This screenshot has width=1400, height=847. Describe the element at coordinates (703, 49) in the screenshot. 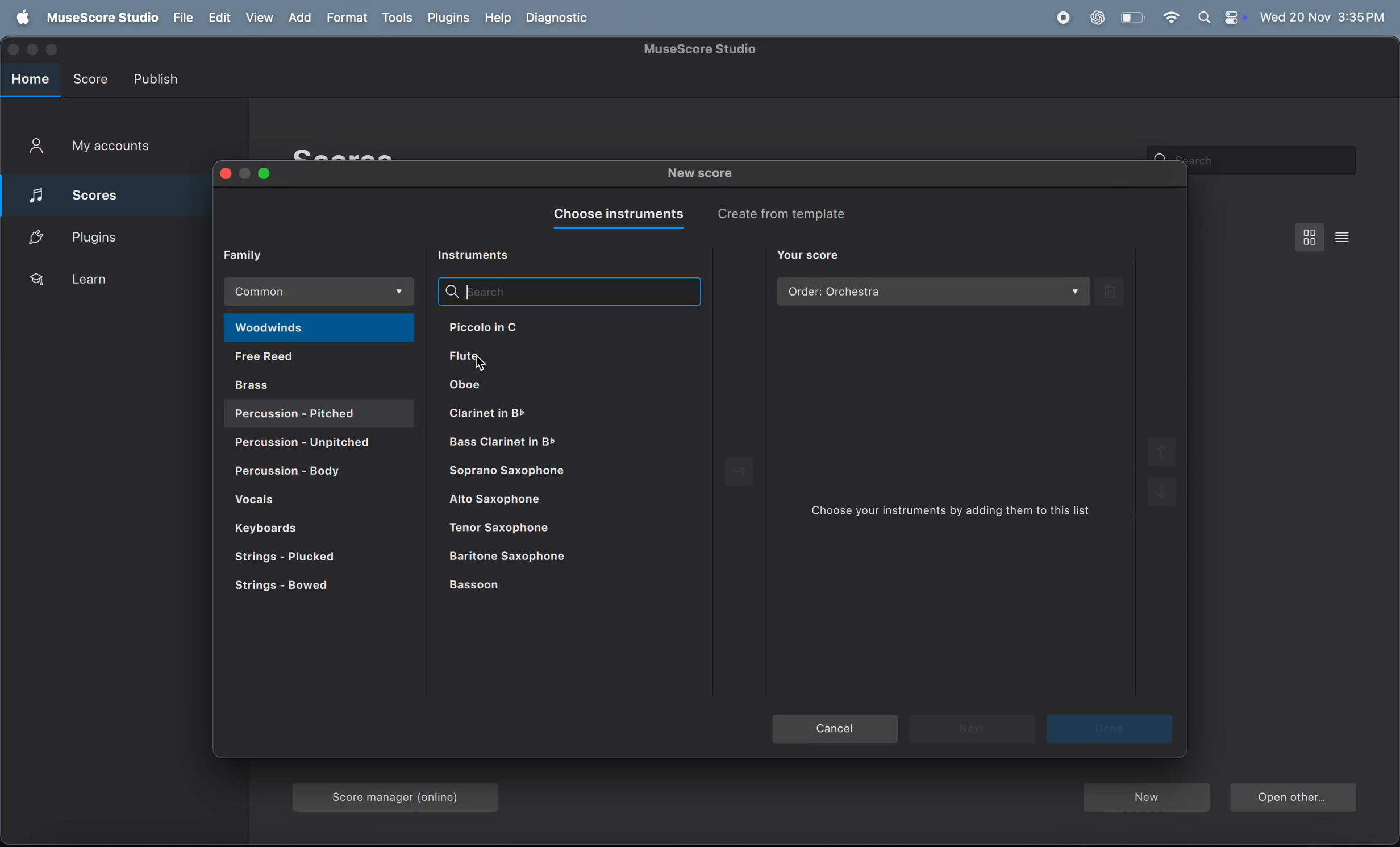

I see `page title` at that location.